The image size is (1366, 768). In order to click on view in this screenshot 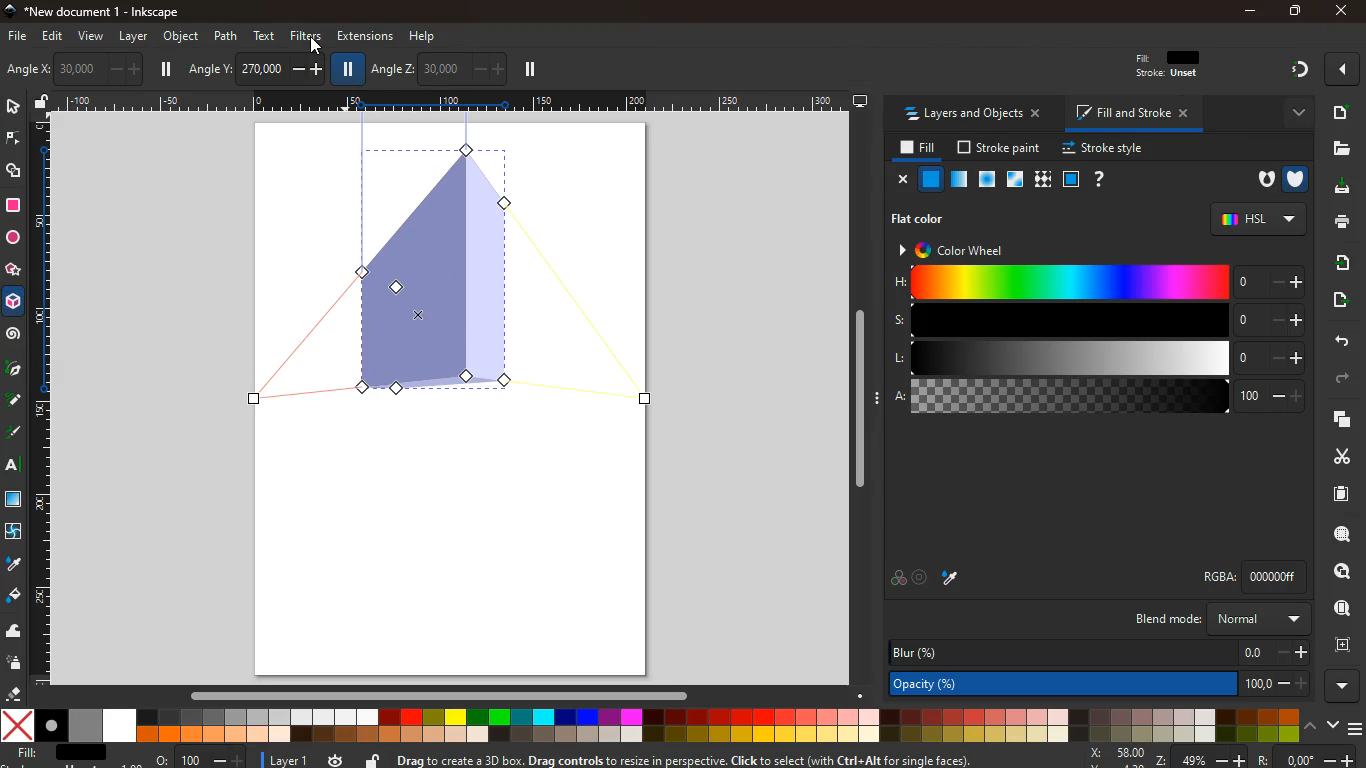, I will do `click(92, 37)`.